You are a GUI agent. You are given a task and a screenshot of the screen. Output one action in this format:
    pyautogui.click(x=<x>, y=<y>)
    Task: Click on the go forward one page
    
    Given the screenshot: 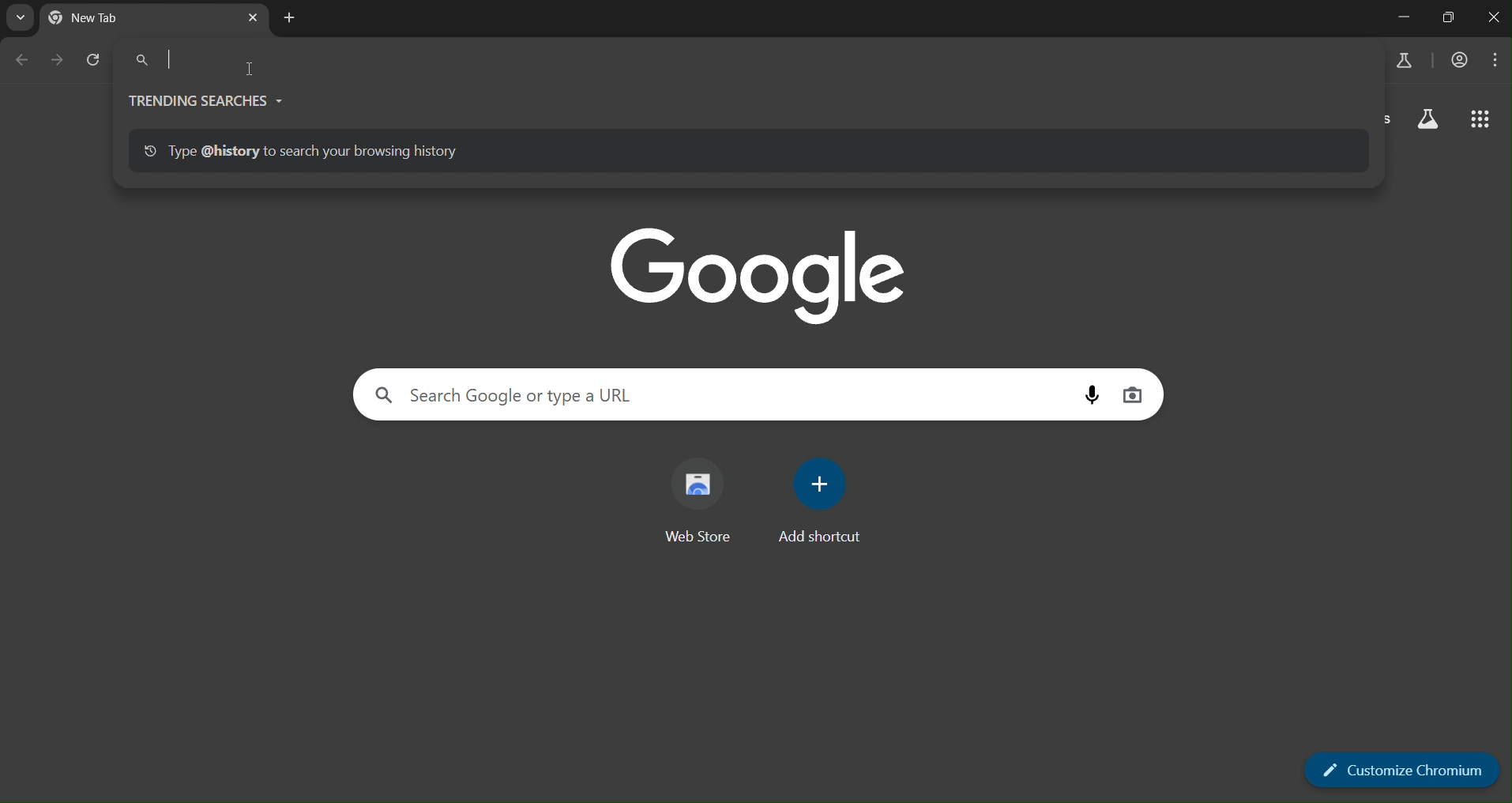 What is the action you would take?
    pyautogui.click(x=59, y=61)
    